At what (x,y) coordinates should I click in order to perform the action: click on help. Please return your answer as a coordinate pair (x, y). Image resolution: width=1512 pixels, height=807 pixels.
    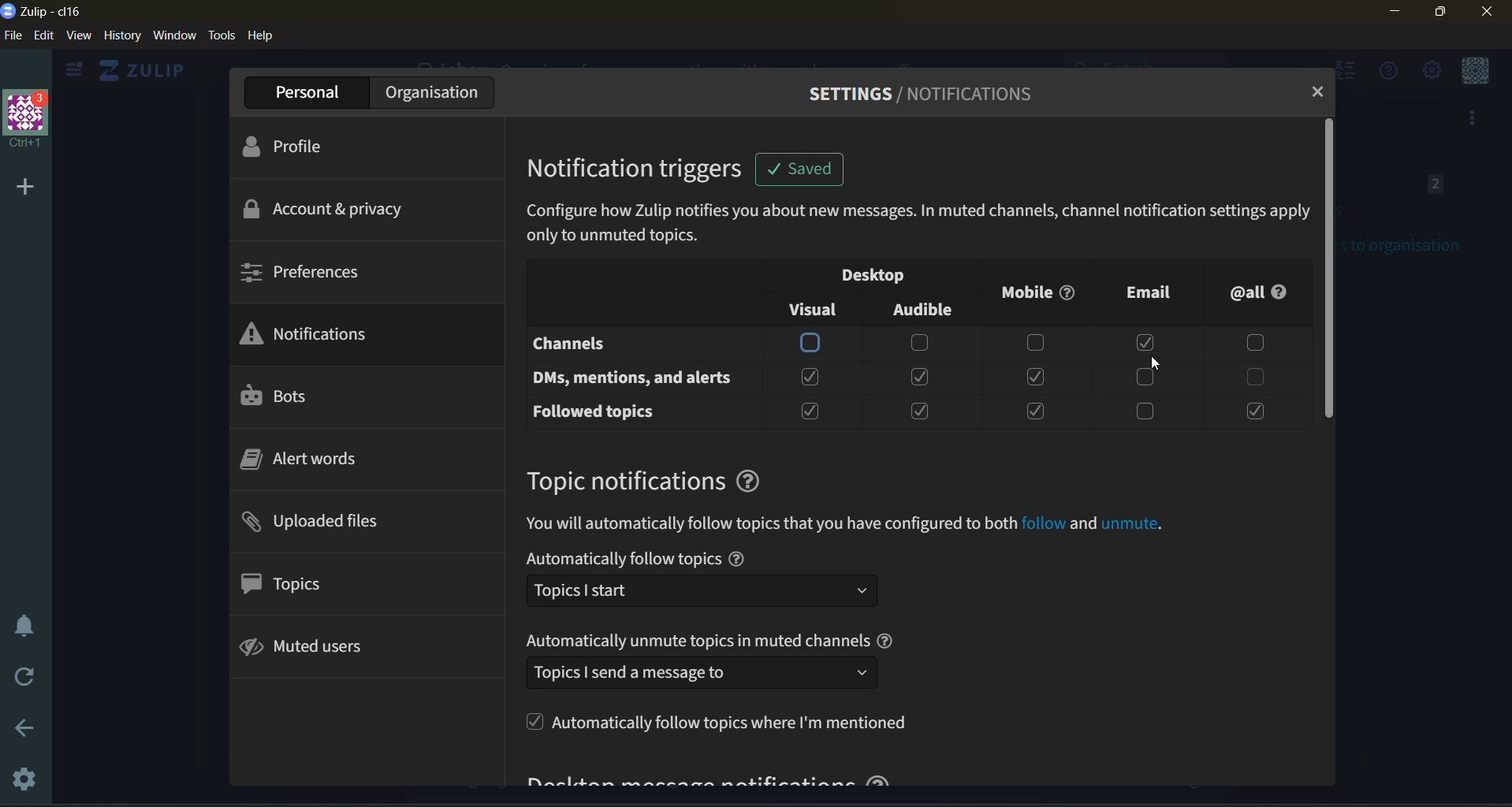
    Looking at the image, I should click on (263, 35).